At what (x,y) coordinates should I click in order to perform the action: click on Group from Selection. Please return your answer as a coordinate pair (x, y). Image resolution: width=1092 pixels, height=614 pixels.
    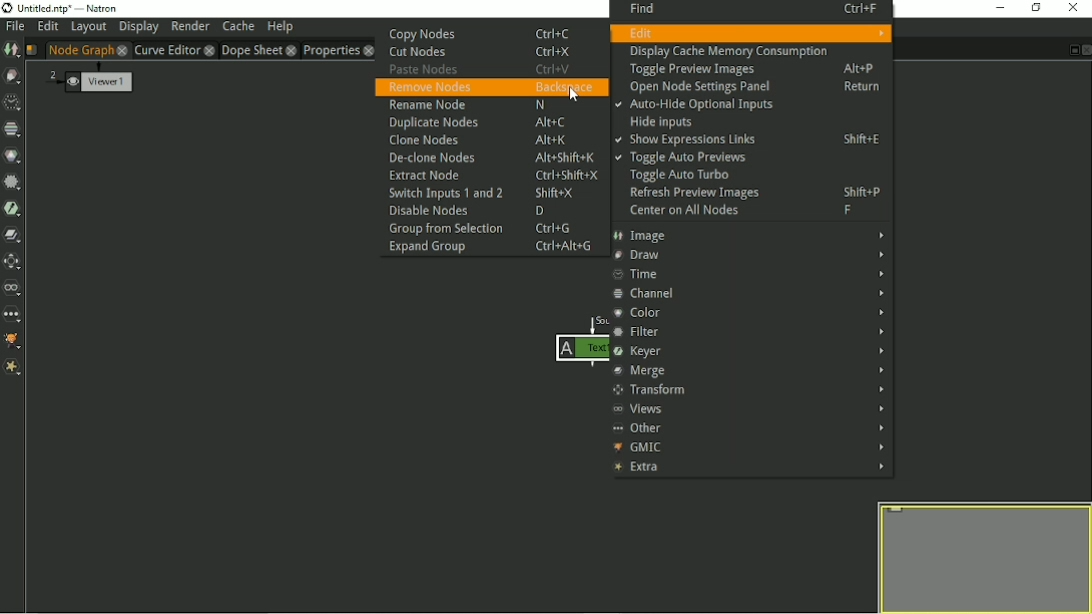
    Looking at the image, I should click on (490, 229).